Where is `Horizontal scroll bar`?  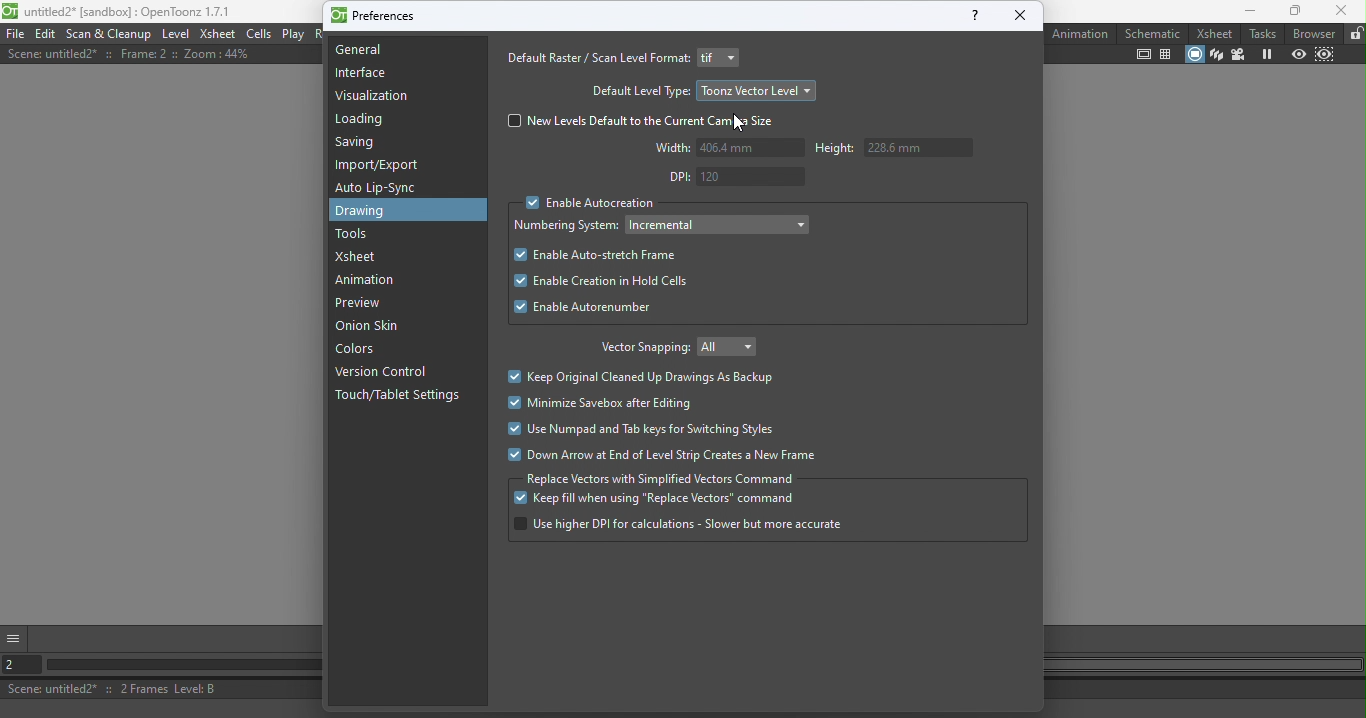 Horizontal scroll bar is located at coordinates (176, 666).